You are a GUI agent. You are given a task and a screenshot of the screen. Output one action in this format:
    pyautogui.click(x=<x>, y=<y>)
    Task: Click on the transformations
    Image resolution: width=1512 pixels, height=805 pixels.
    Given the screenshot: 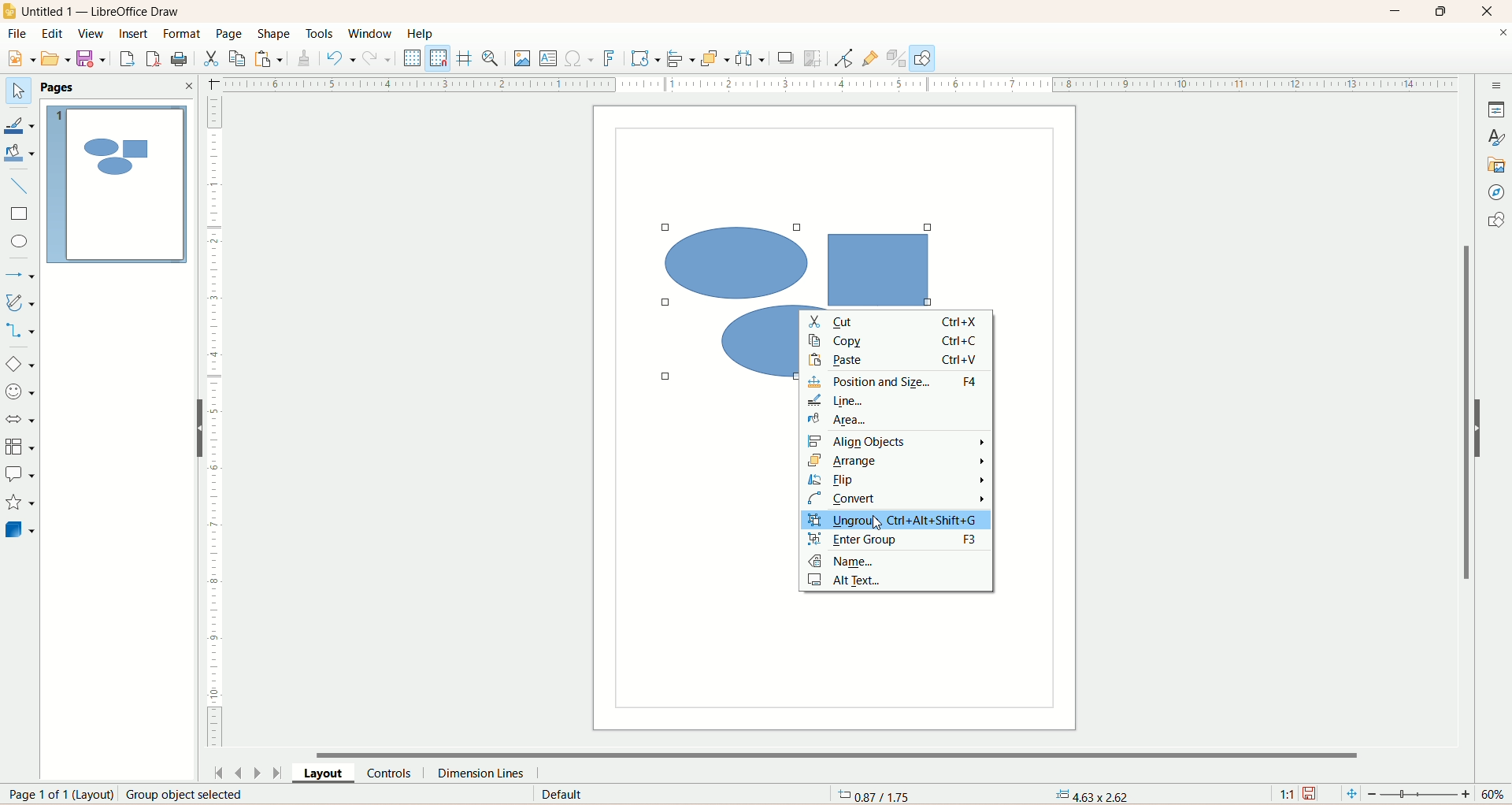 What is the action you would take?
    pyautogui.click(x=647, y=61)
    